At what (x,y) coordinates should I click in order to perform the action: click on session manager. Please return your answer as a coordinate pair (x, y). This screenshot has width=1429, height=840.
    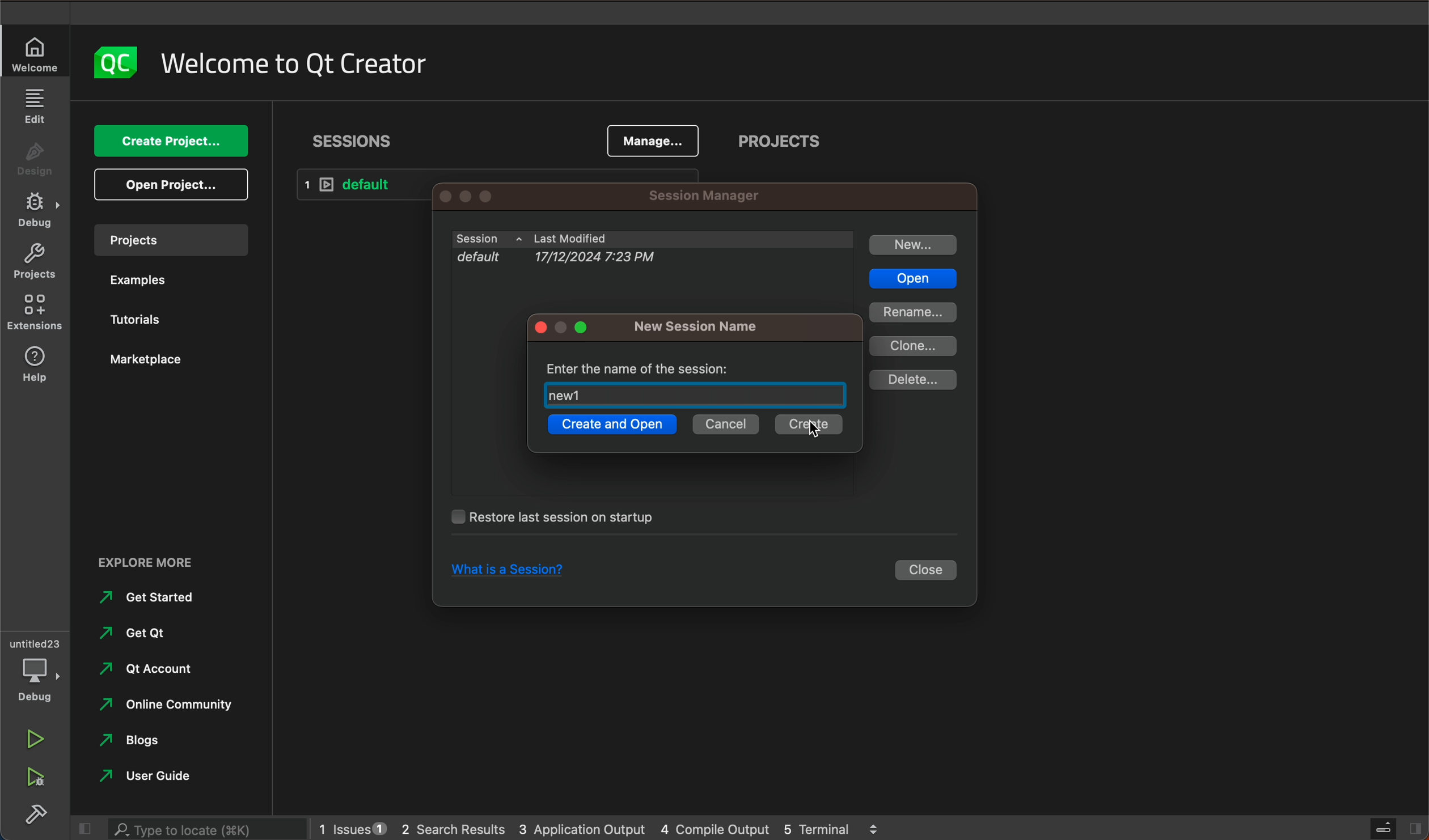
    Looking at the image, I should click on (700, 197).